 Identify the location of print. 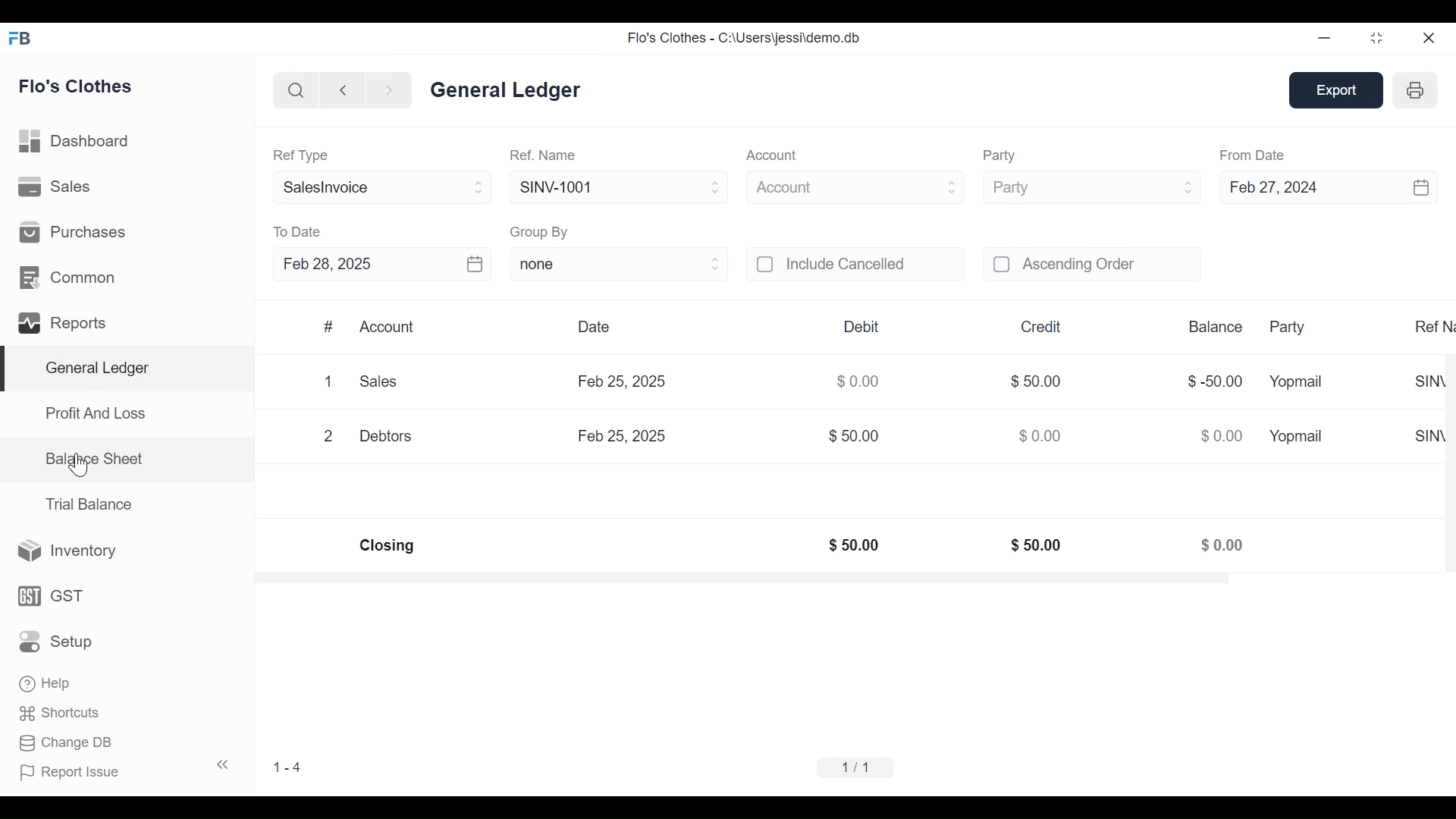
(1417, 89).